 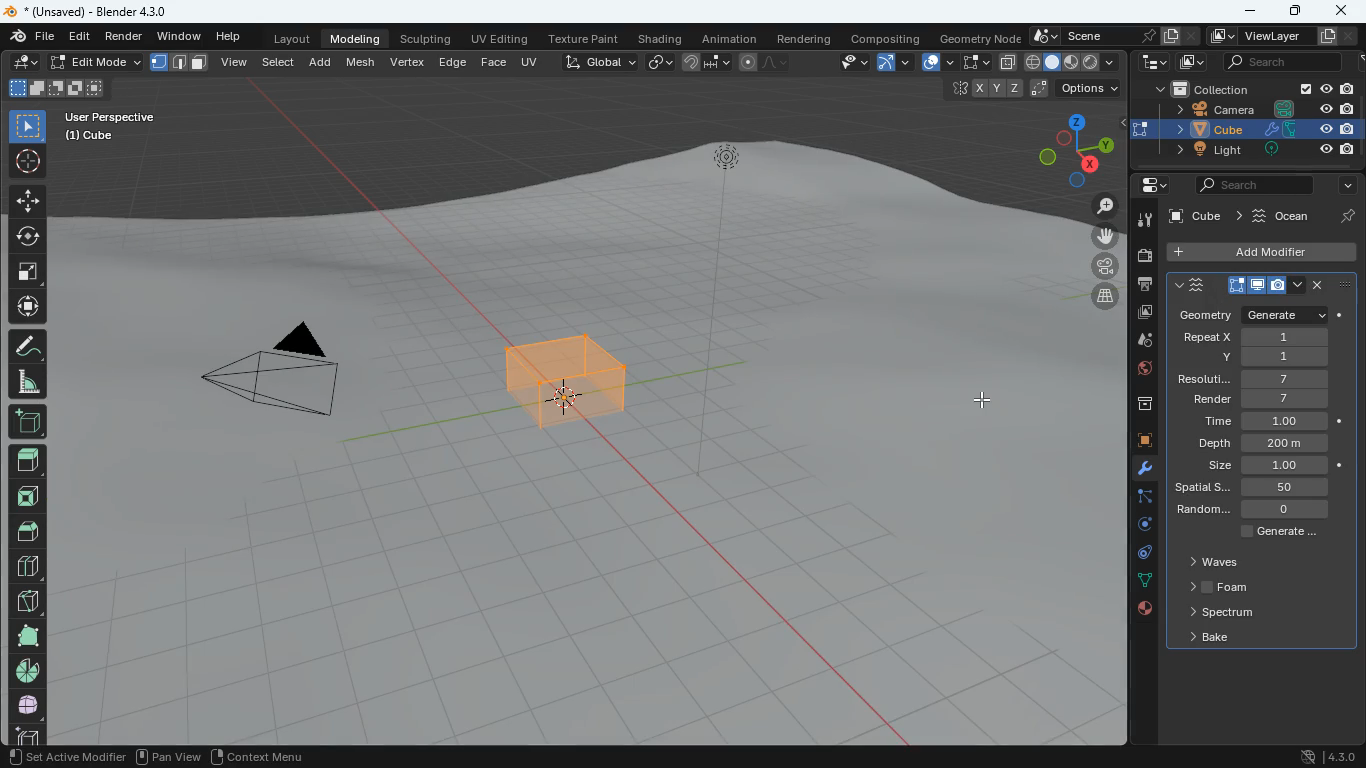 I want to click on move, so click(x=27, y=200).